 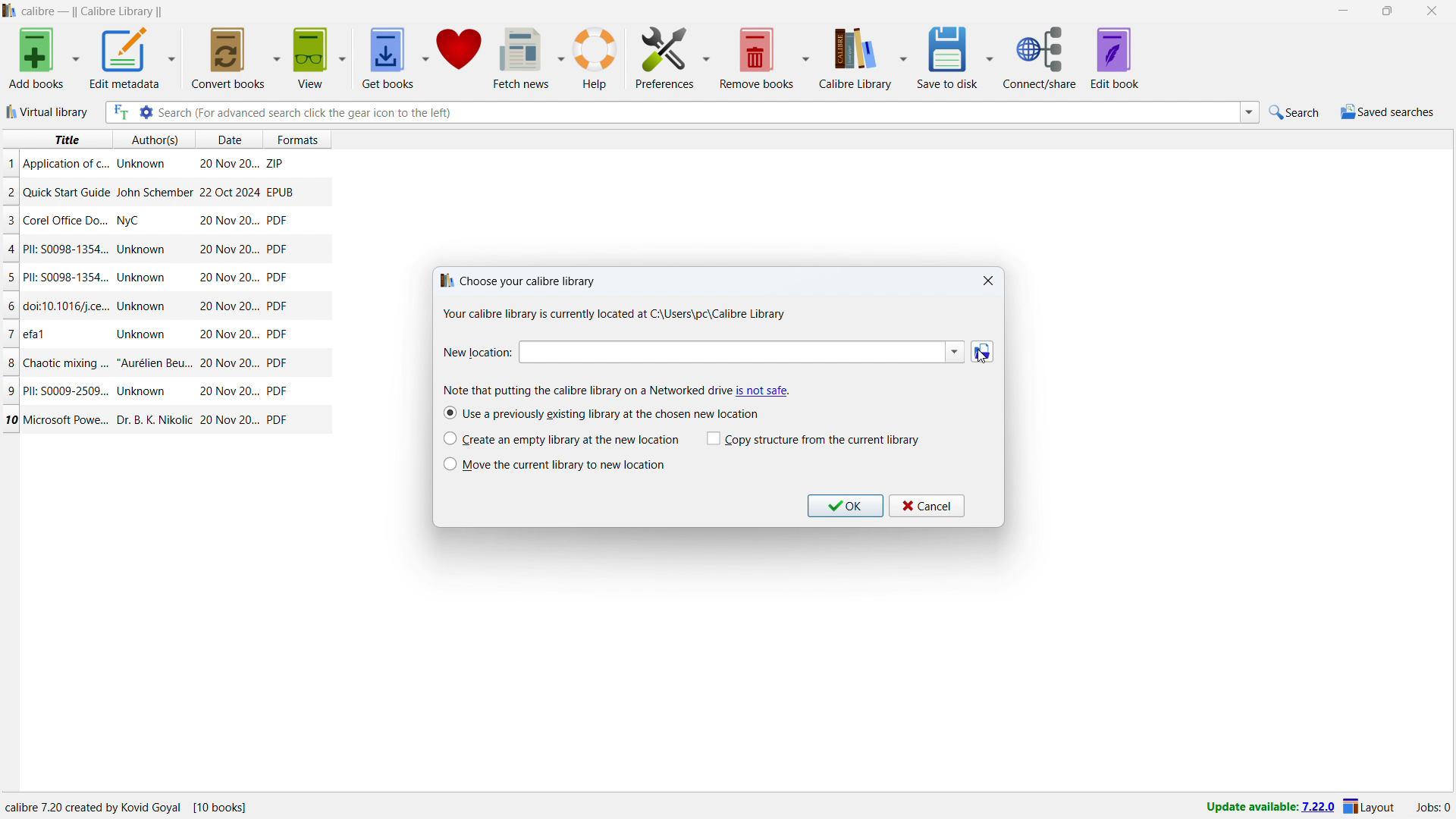 What do you see at coordinates (1250, 113) in the screenshot?
I see `search history` at bounding box center [1250, 113].